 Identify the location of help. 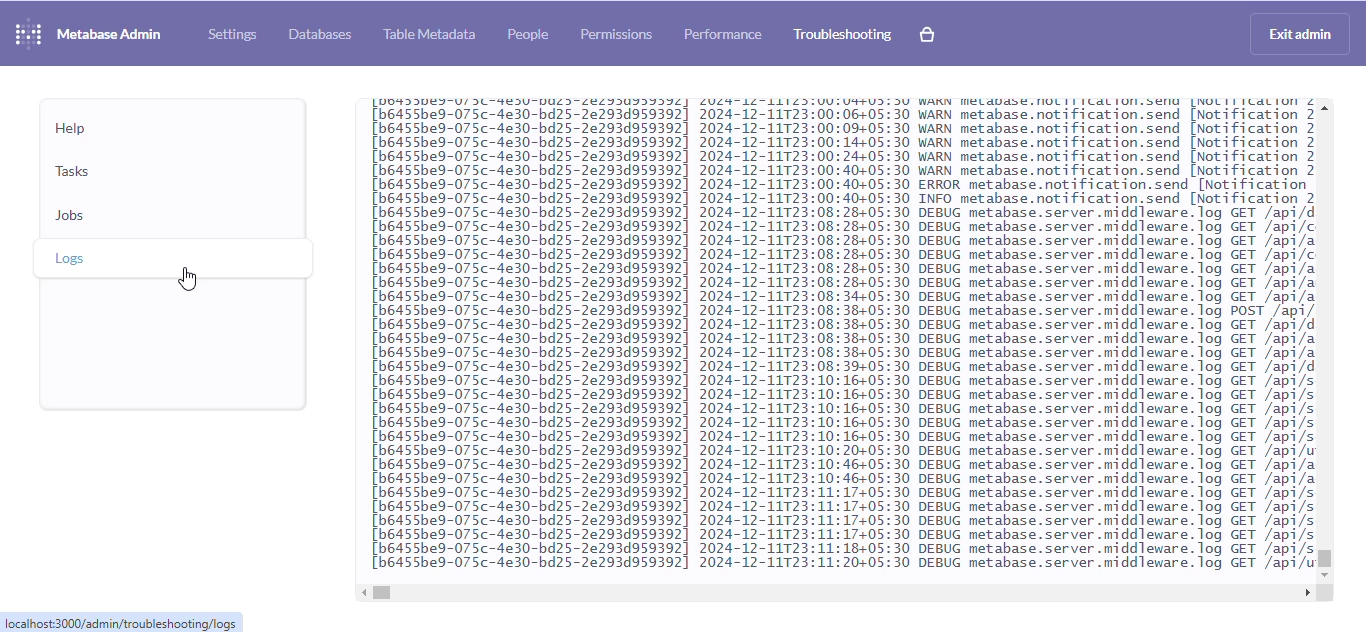
(71, 129).